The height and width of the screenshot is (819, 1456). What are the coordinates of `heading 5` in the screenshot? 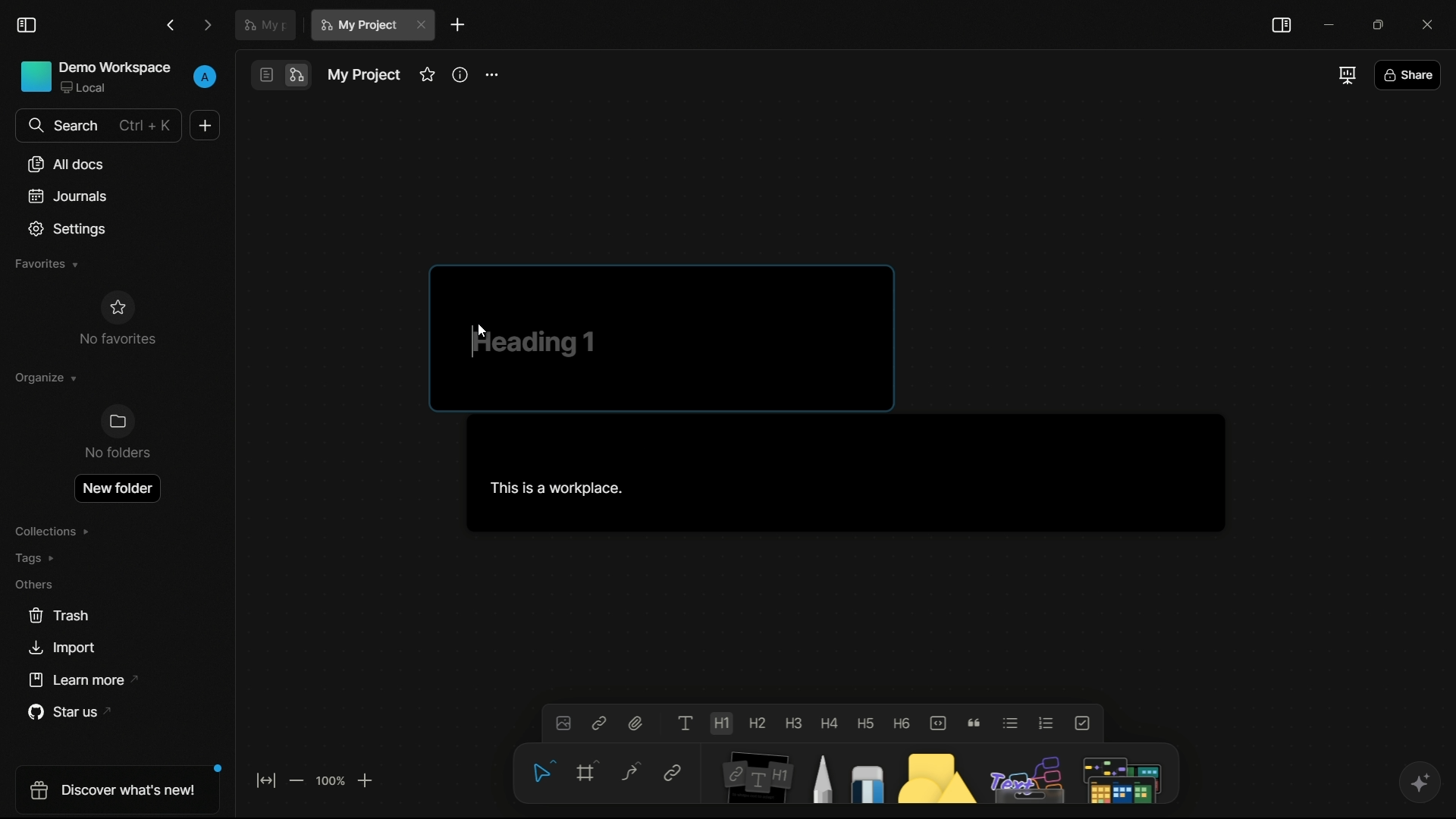 It's located at (868, 721).